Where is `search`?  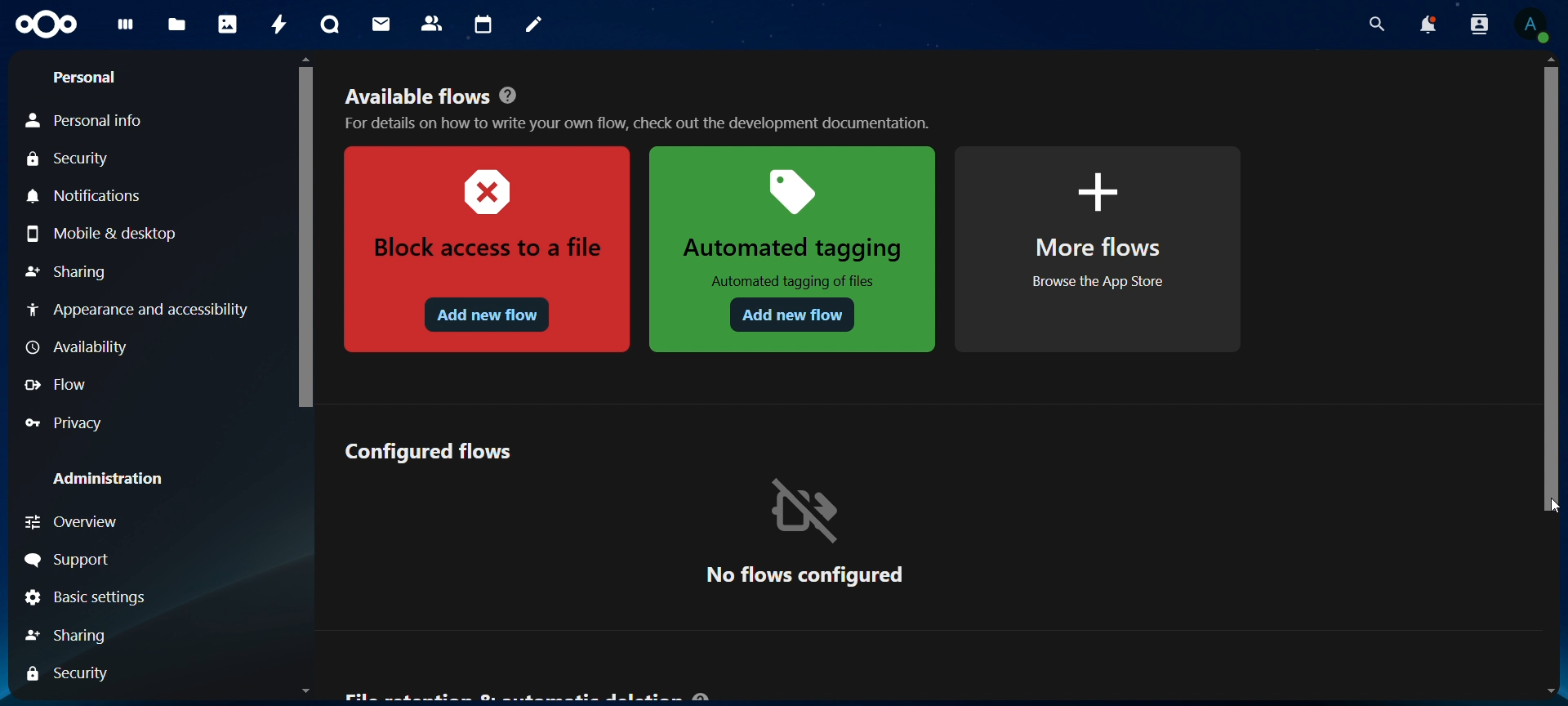
search is located at coordinates (1373, 25).